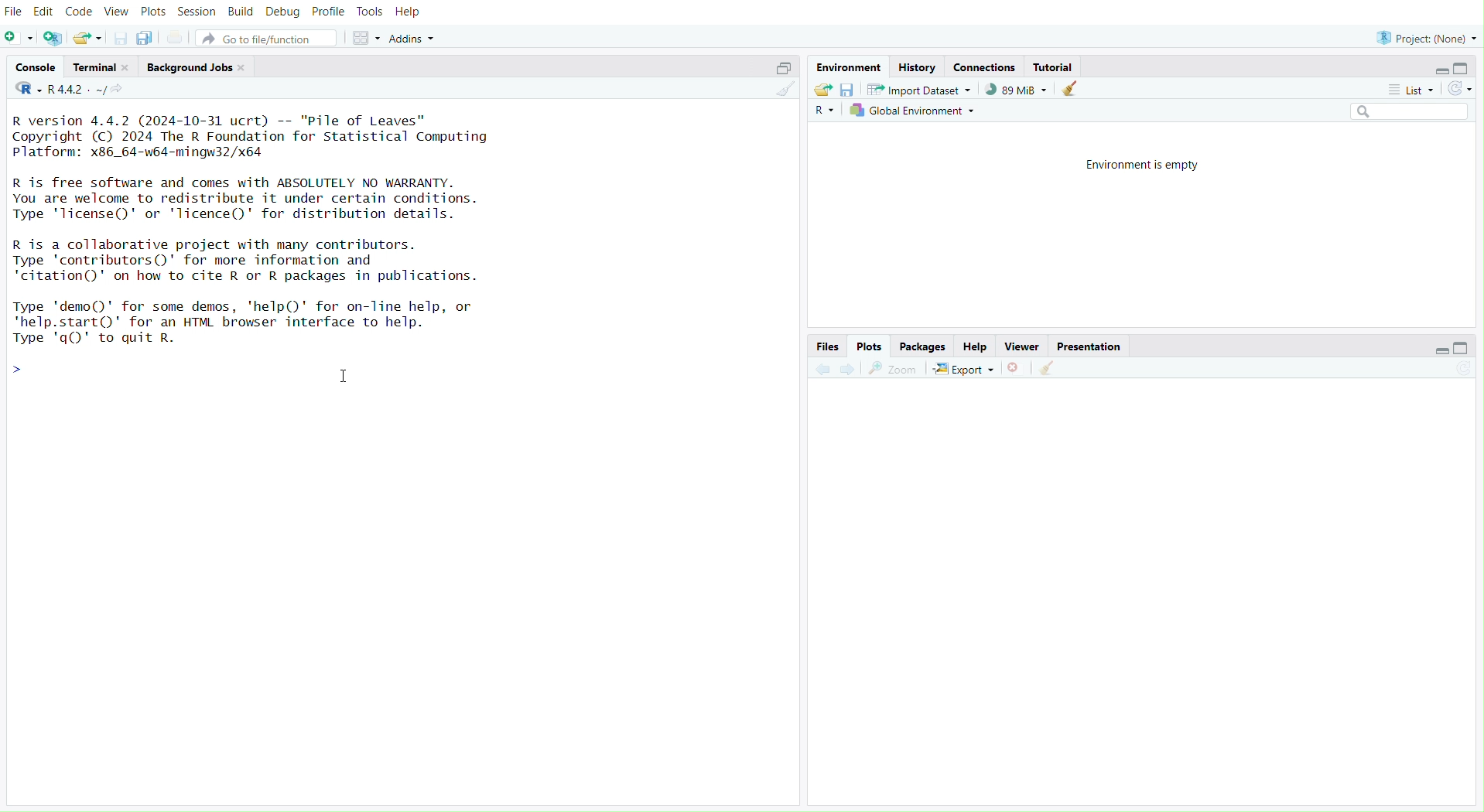 The width and height of the screenshot is (1484, 812). Describe the element at coordinates (1412, 88) in the screenshot. I see `List` at that location.